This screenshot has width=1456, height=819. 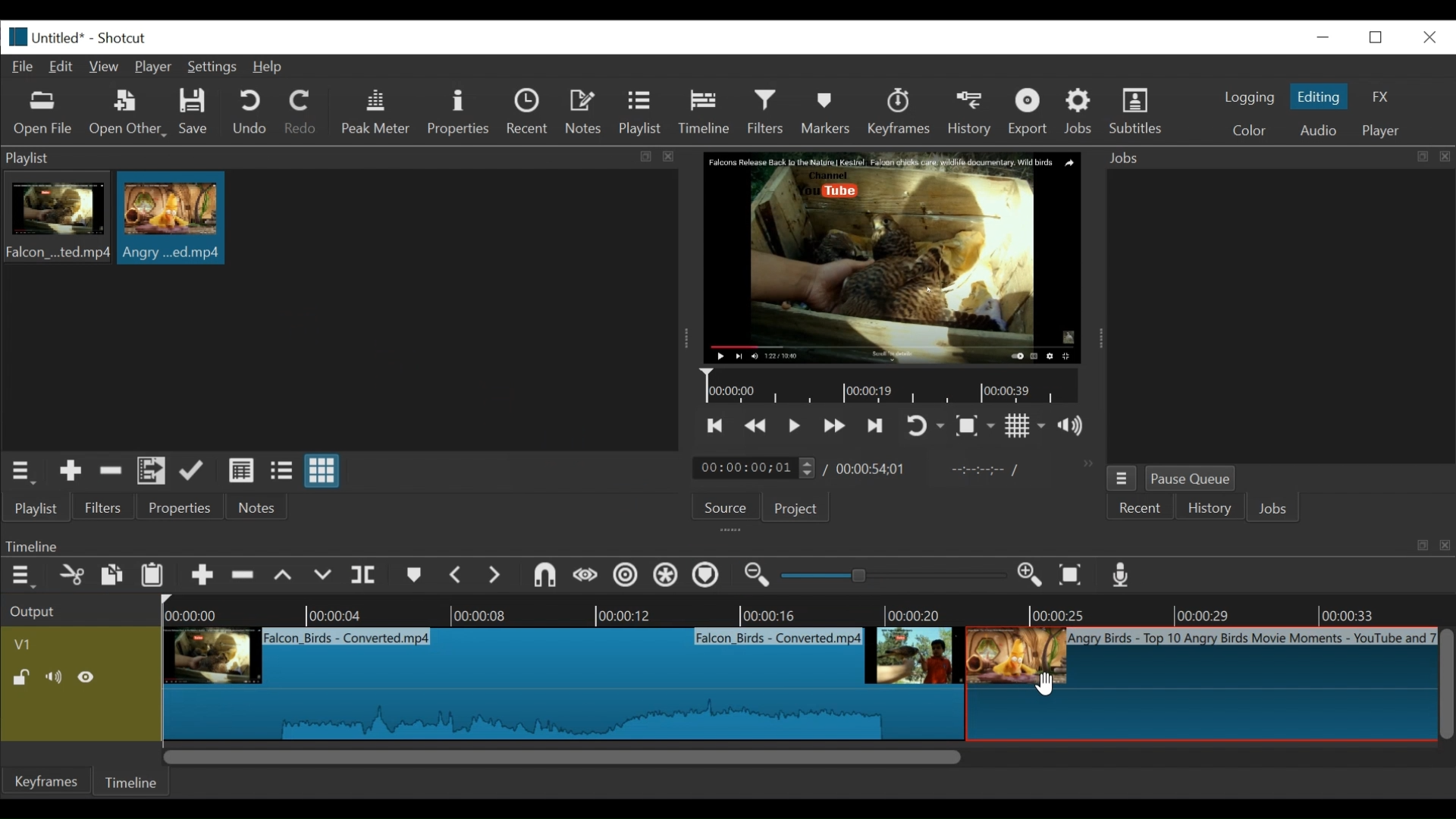 I want to click on Shotcut logo, so click(x=14, y=35).